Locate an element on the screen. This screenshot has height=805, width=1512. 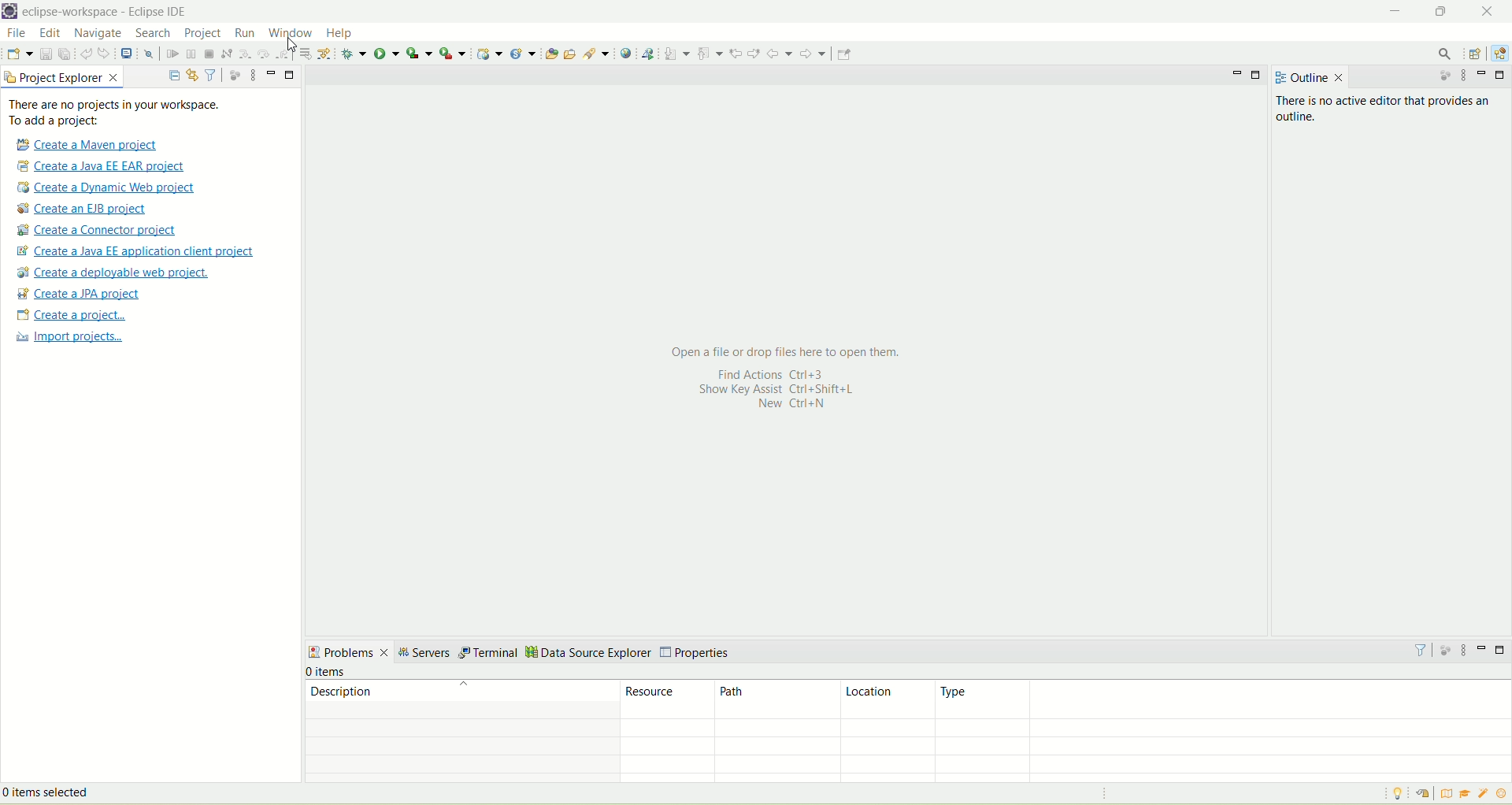
maximize is located at coordinates (1438, 9).